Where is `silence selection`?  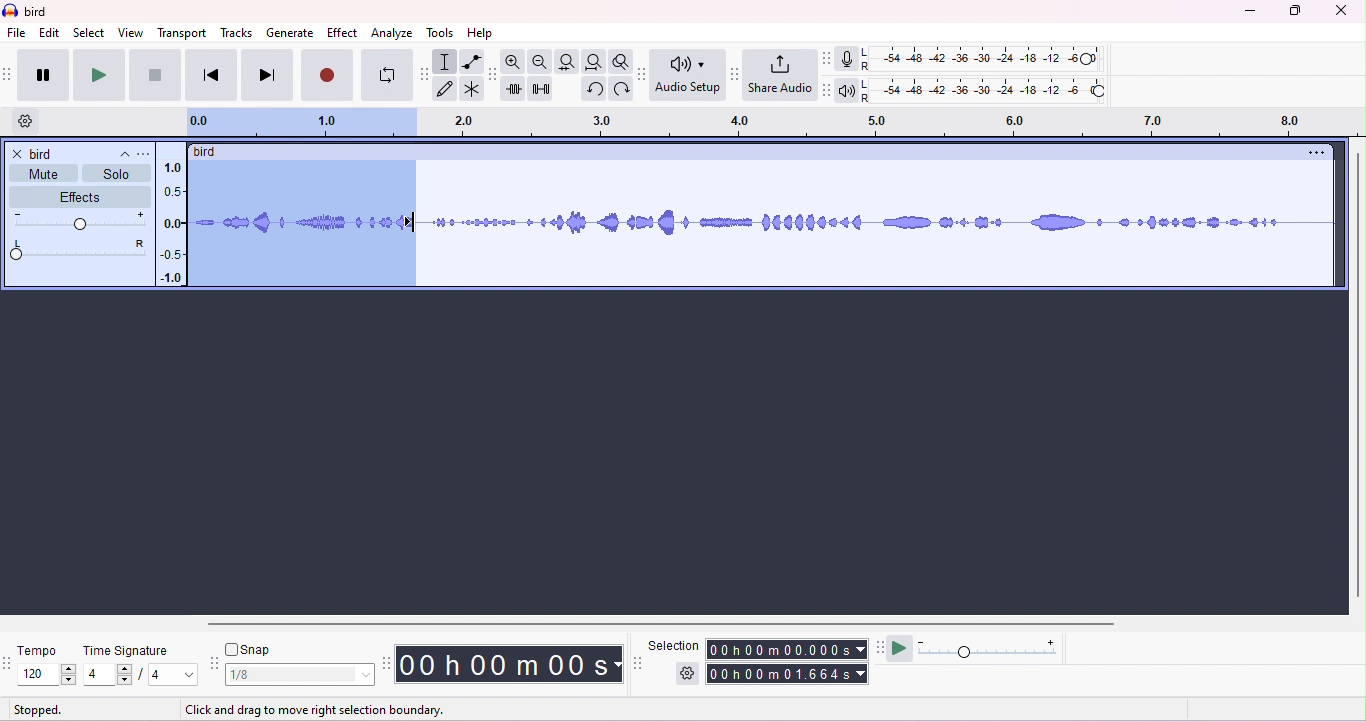
silence selection is located at coordinates (544, 89).